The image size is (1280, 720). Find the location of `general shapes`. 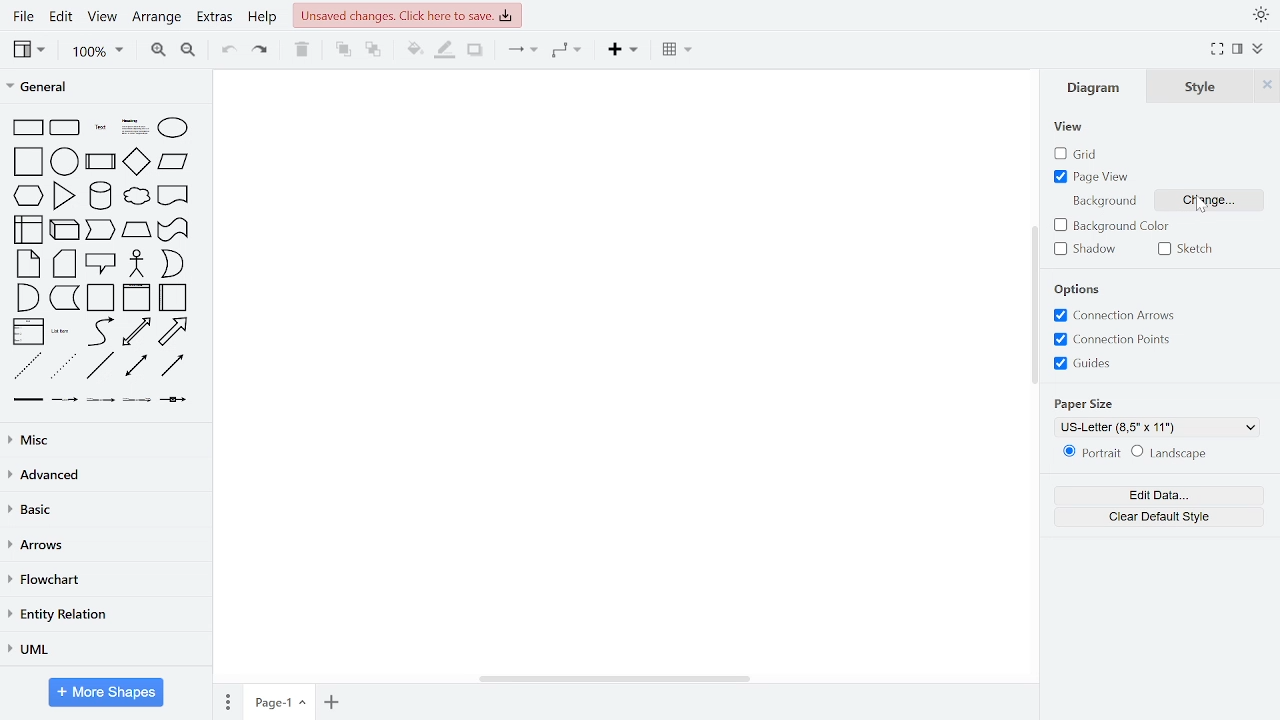

general shapes is located at coordinates (173, 297).